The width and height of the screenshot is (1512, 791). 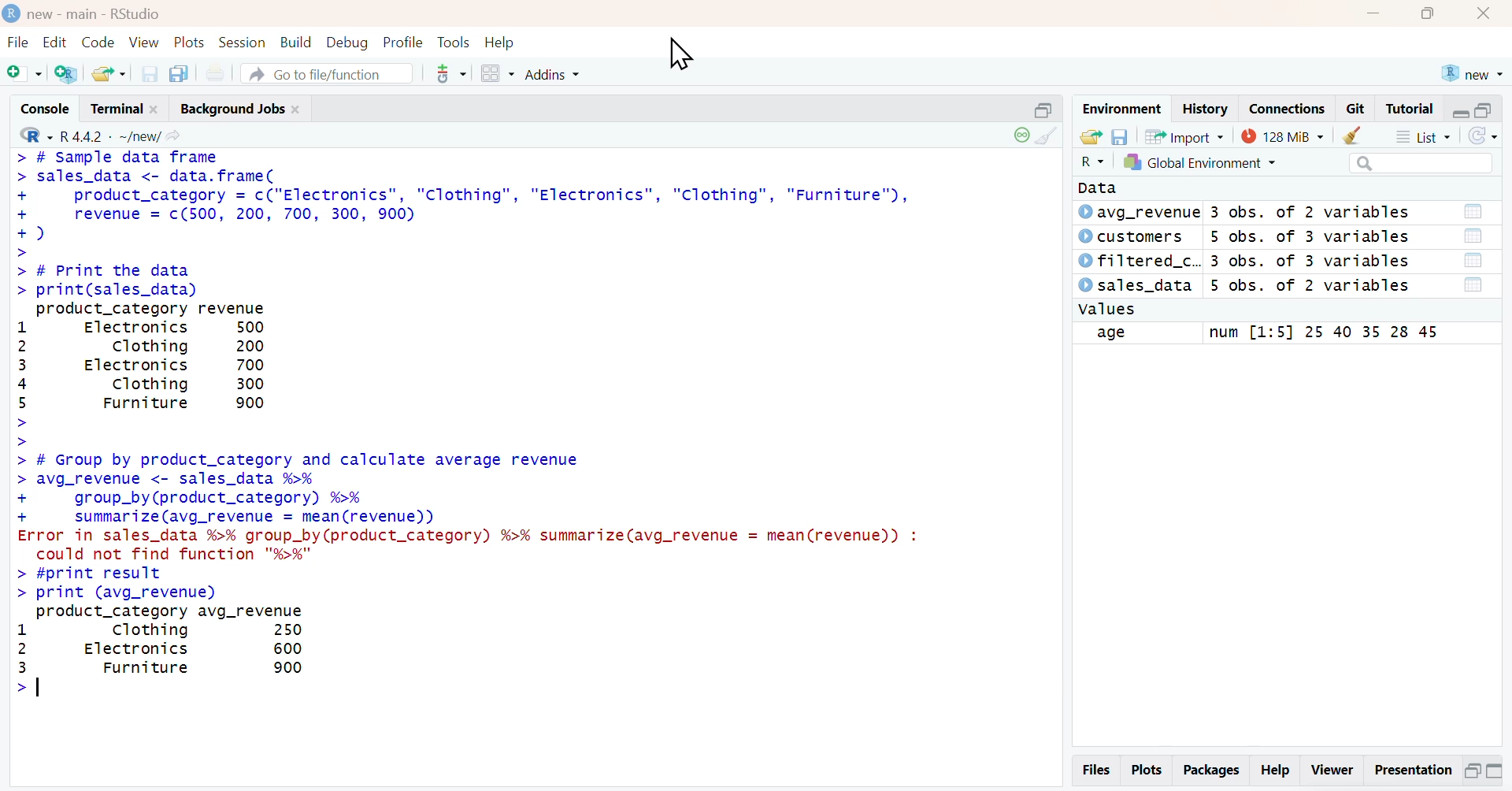 I want to click on New File, so click(x=24, y=73).